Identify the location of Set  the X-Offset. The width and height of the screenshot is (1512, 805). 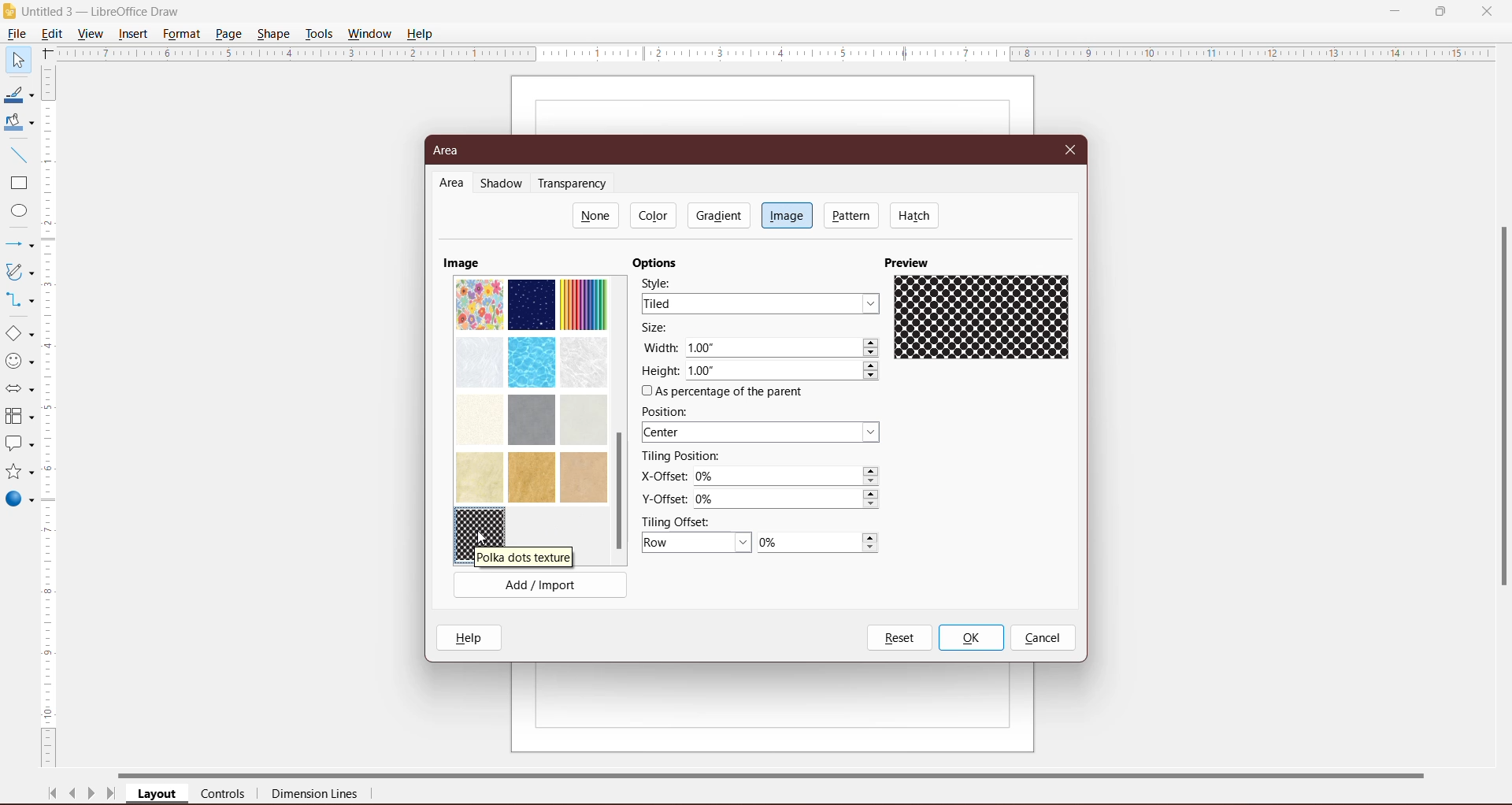
(788, 477).